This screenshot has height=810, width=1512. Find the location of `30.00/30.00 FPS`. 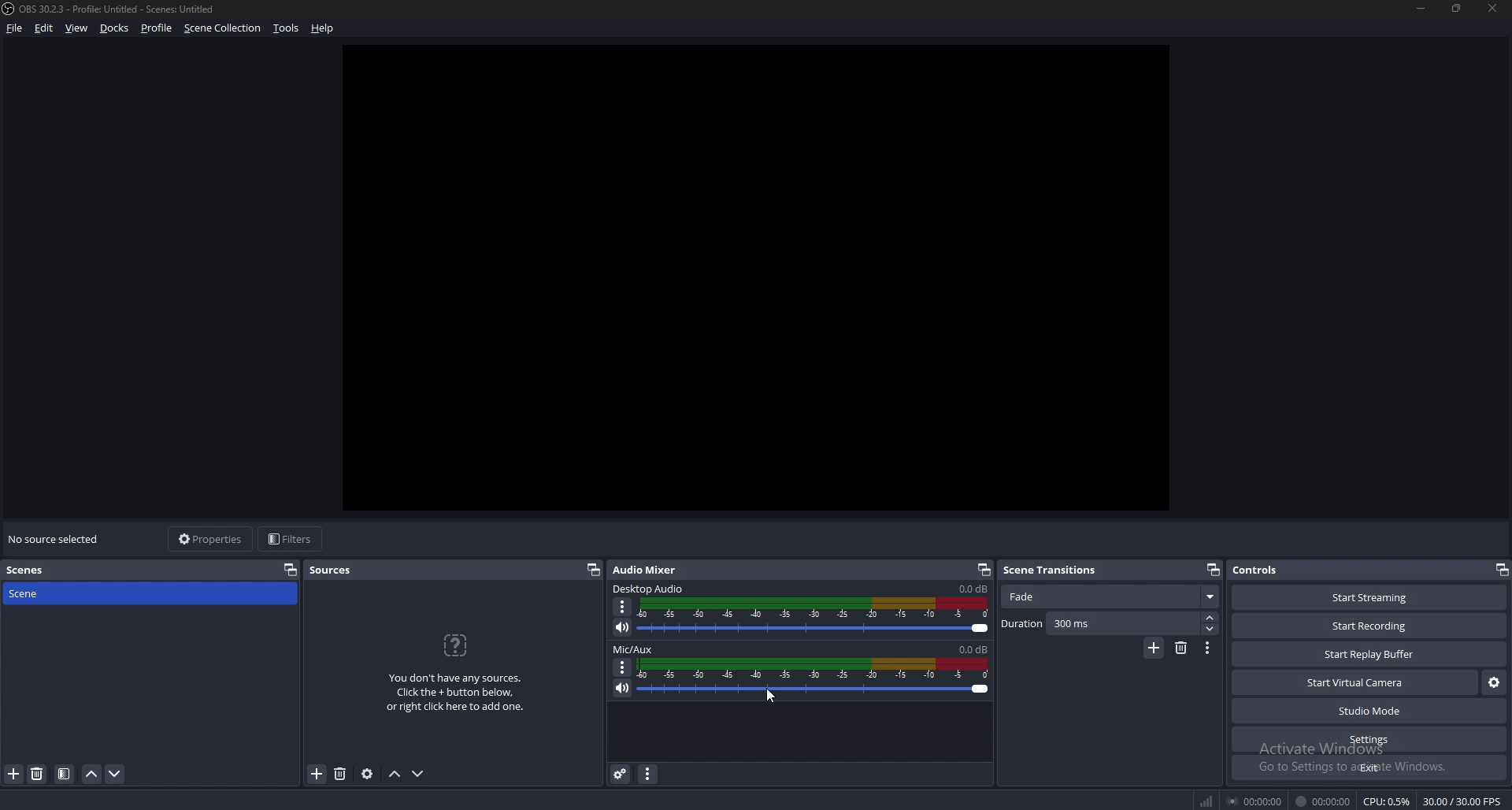

30.00/30.00 FPS is located at coordinates (1462, 801).